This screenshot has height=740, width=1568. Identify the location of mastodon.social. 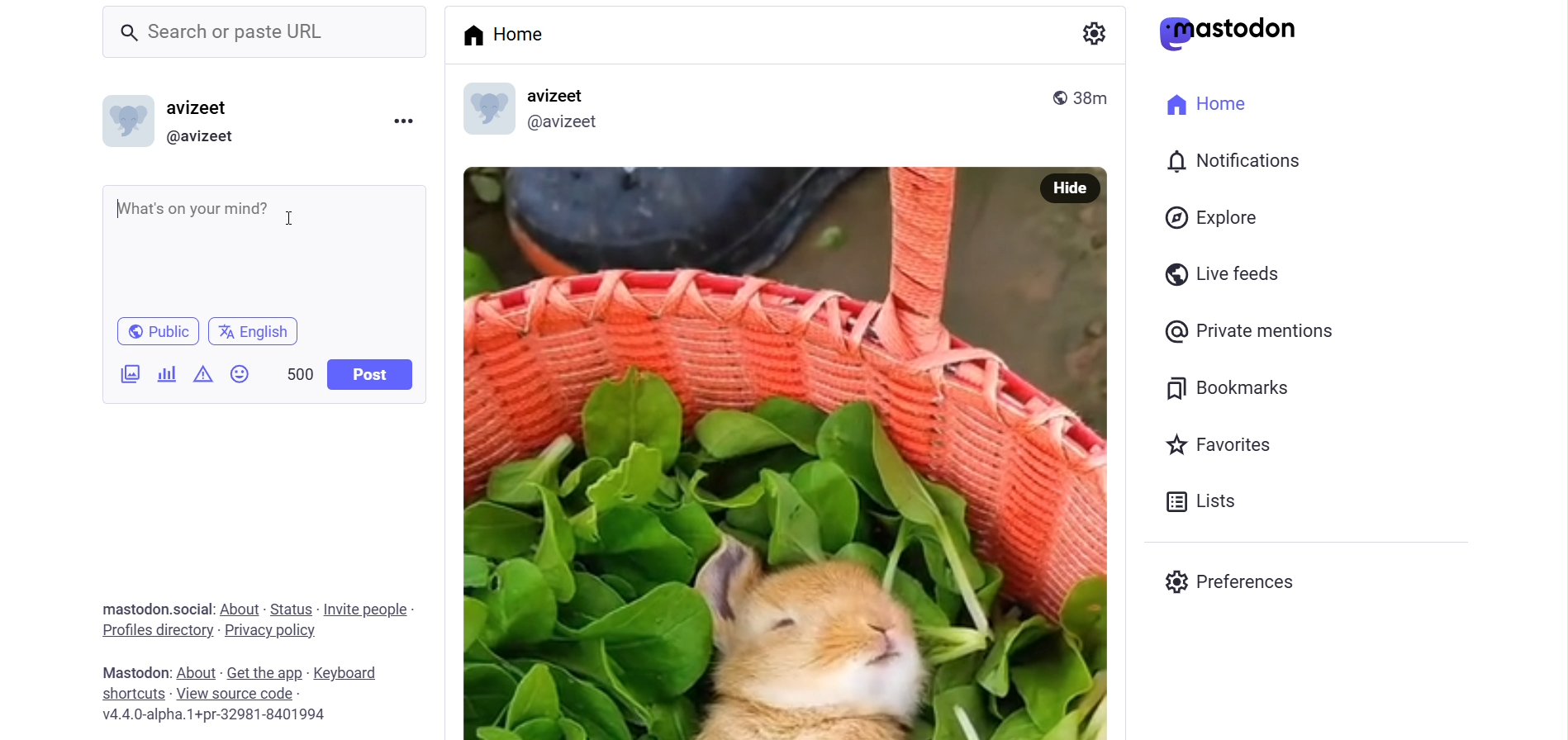
(158, 606).